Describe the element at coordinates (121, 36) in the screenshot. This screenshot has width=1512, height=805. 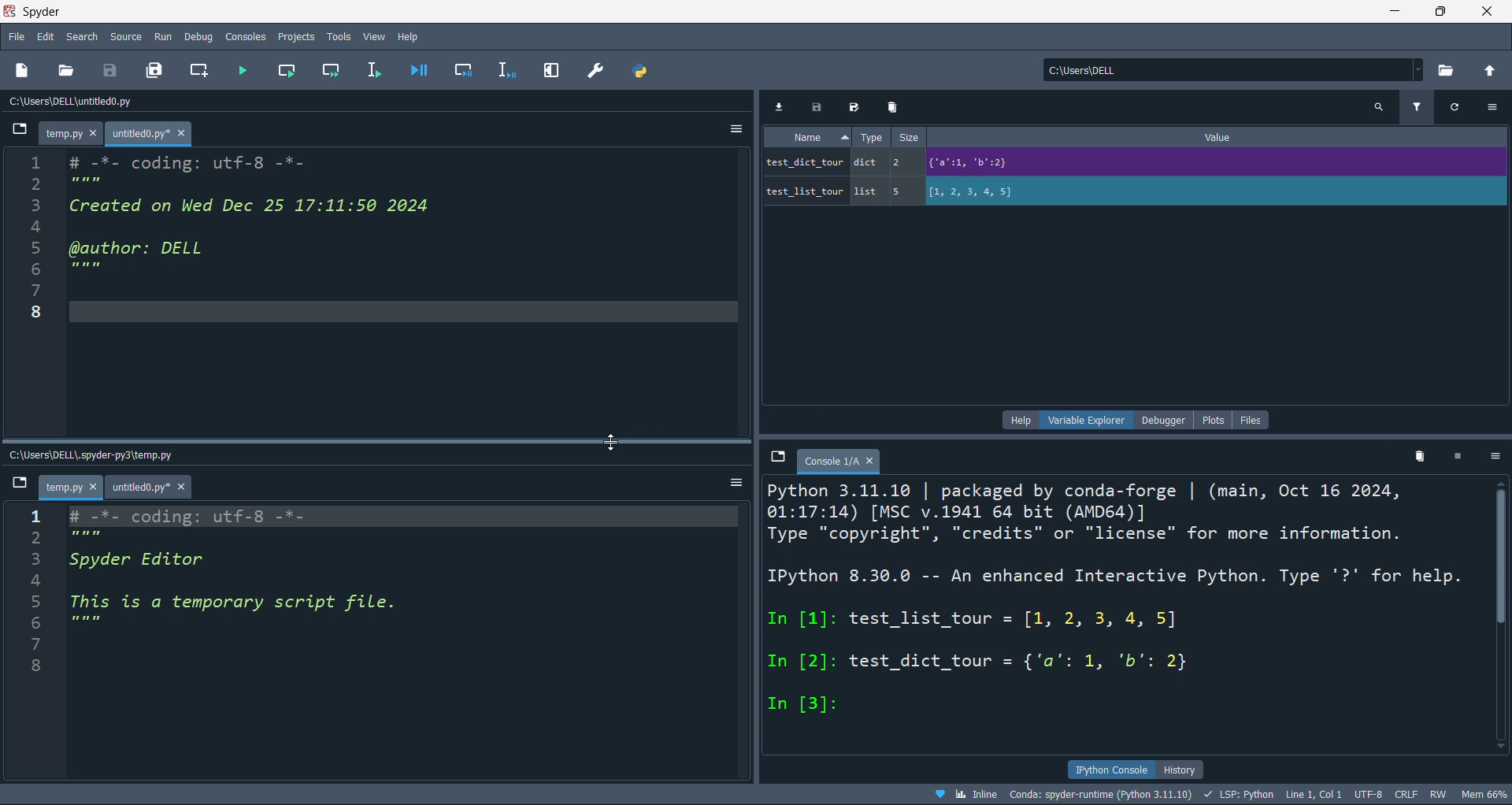
I see `source` at that location.